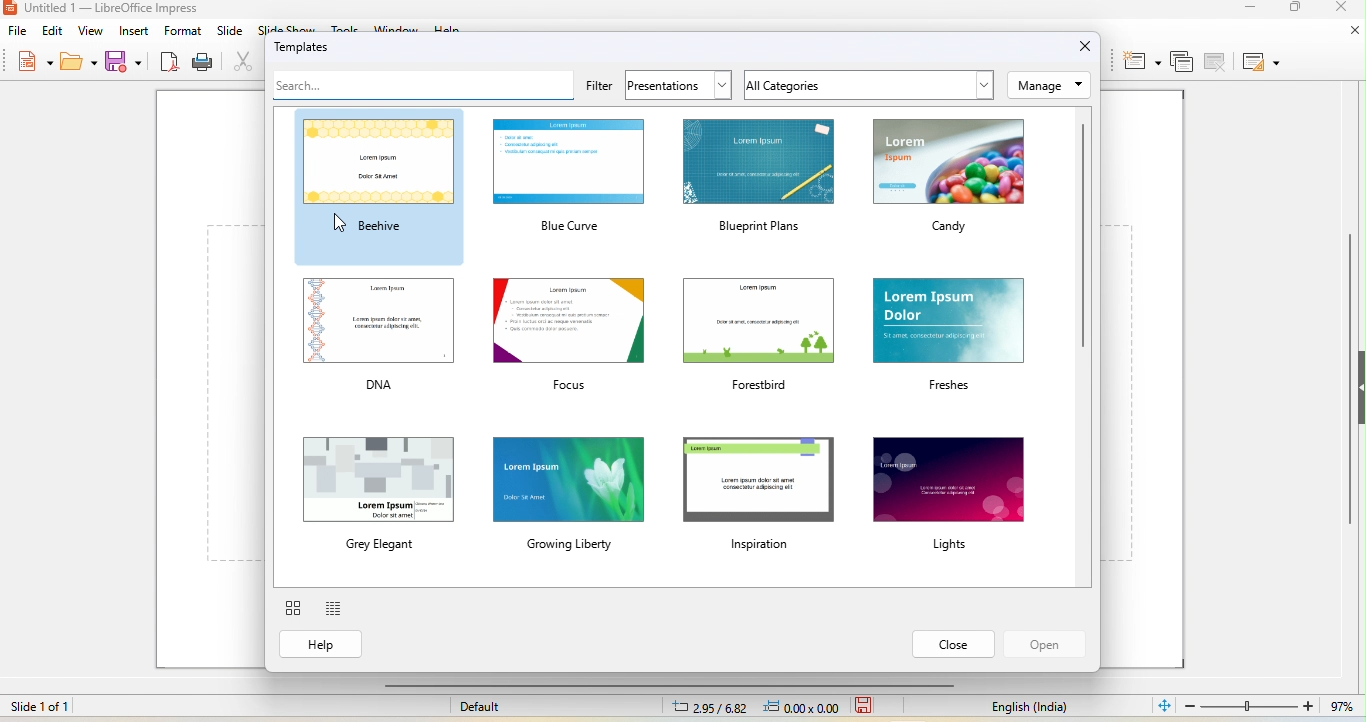 The height and width of the screenshot is (722, 1366). I want to click on close, so click(1353, 32).